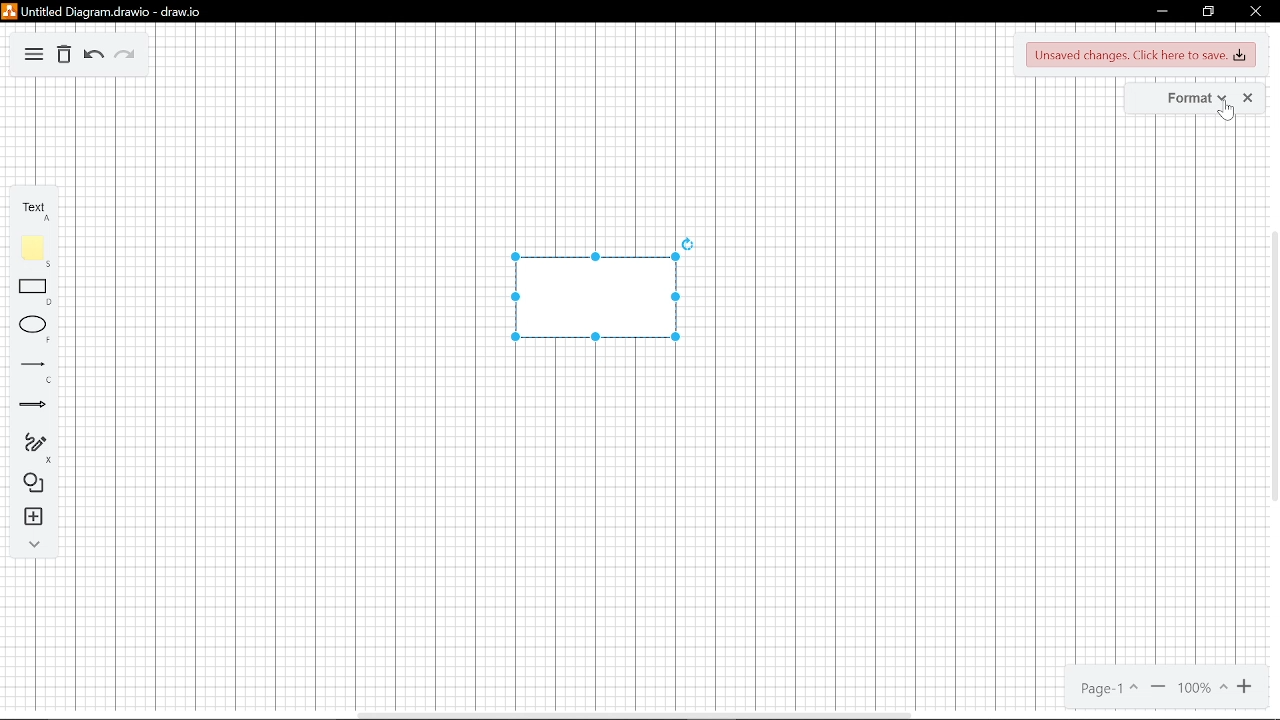 The image size is (1280, 720). What do you see at coordinates (31, 56) in the screenshot?
I see `menu` at bounding box center [31, 56].